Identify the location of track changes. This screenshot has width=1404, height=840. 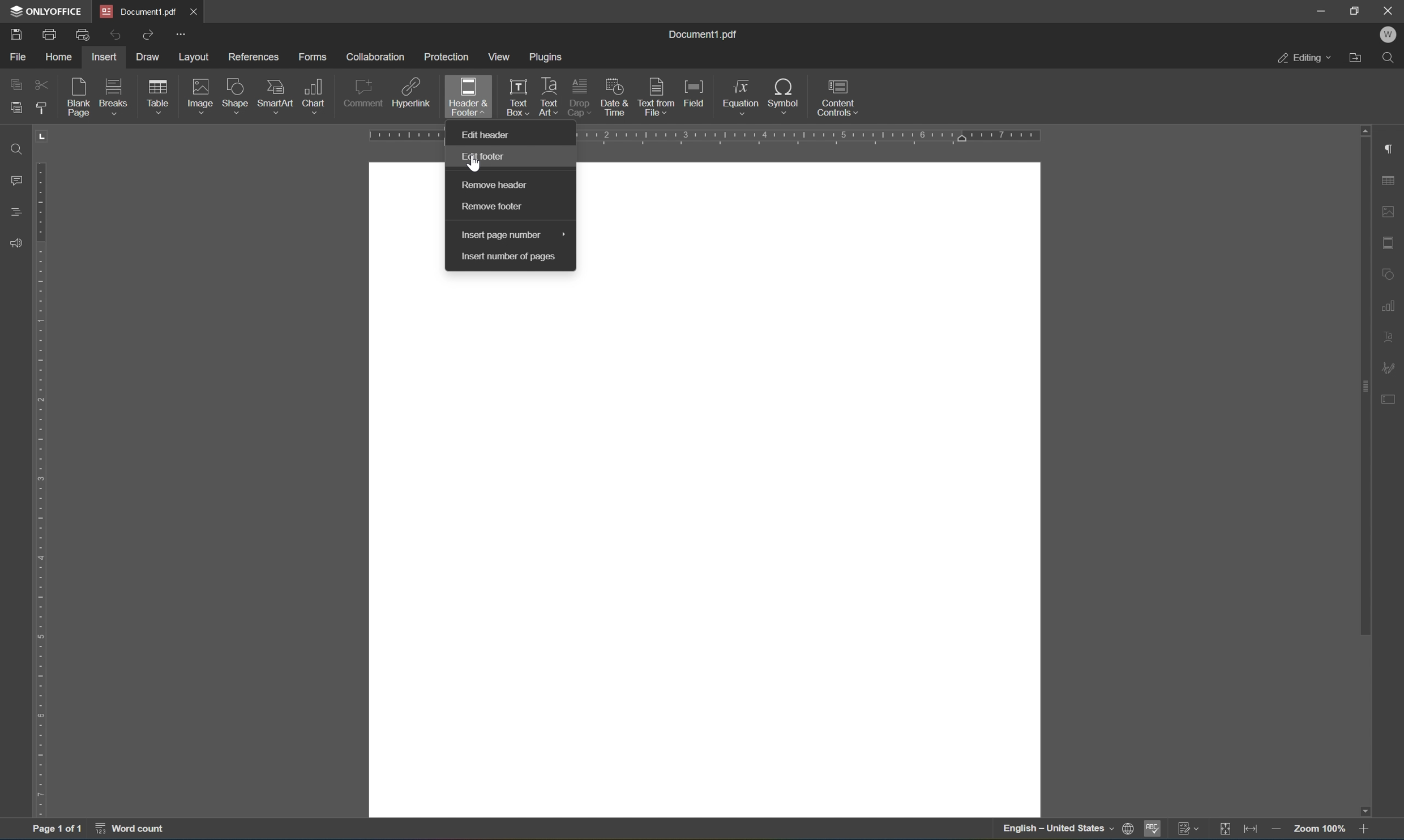
(1187, 829).